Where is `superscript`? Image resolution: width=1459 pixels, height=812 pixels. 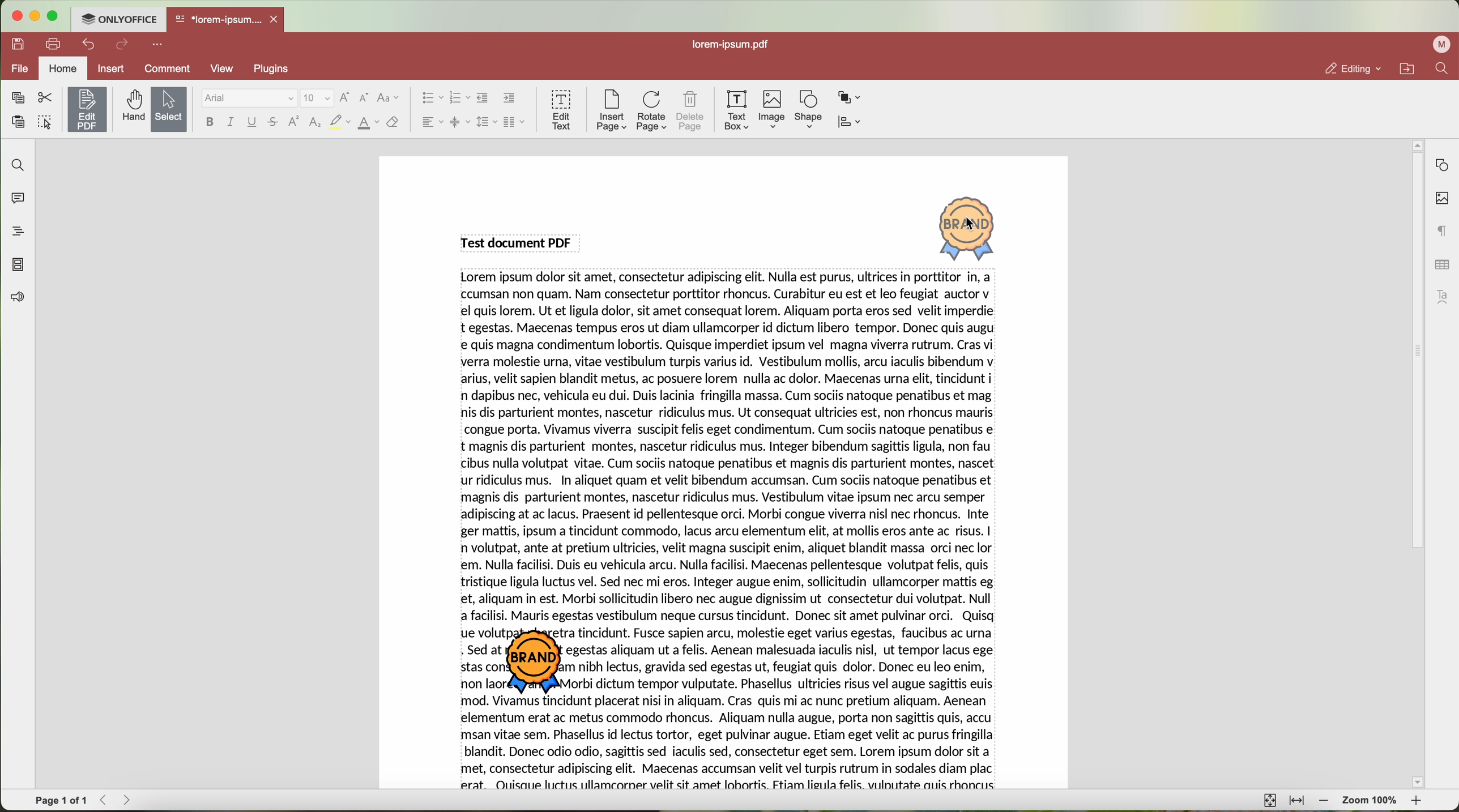 superscript is located at coordinates (295, 121).